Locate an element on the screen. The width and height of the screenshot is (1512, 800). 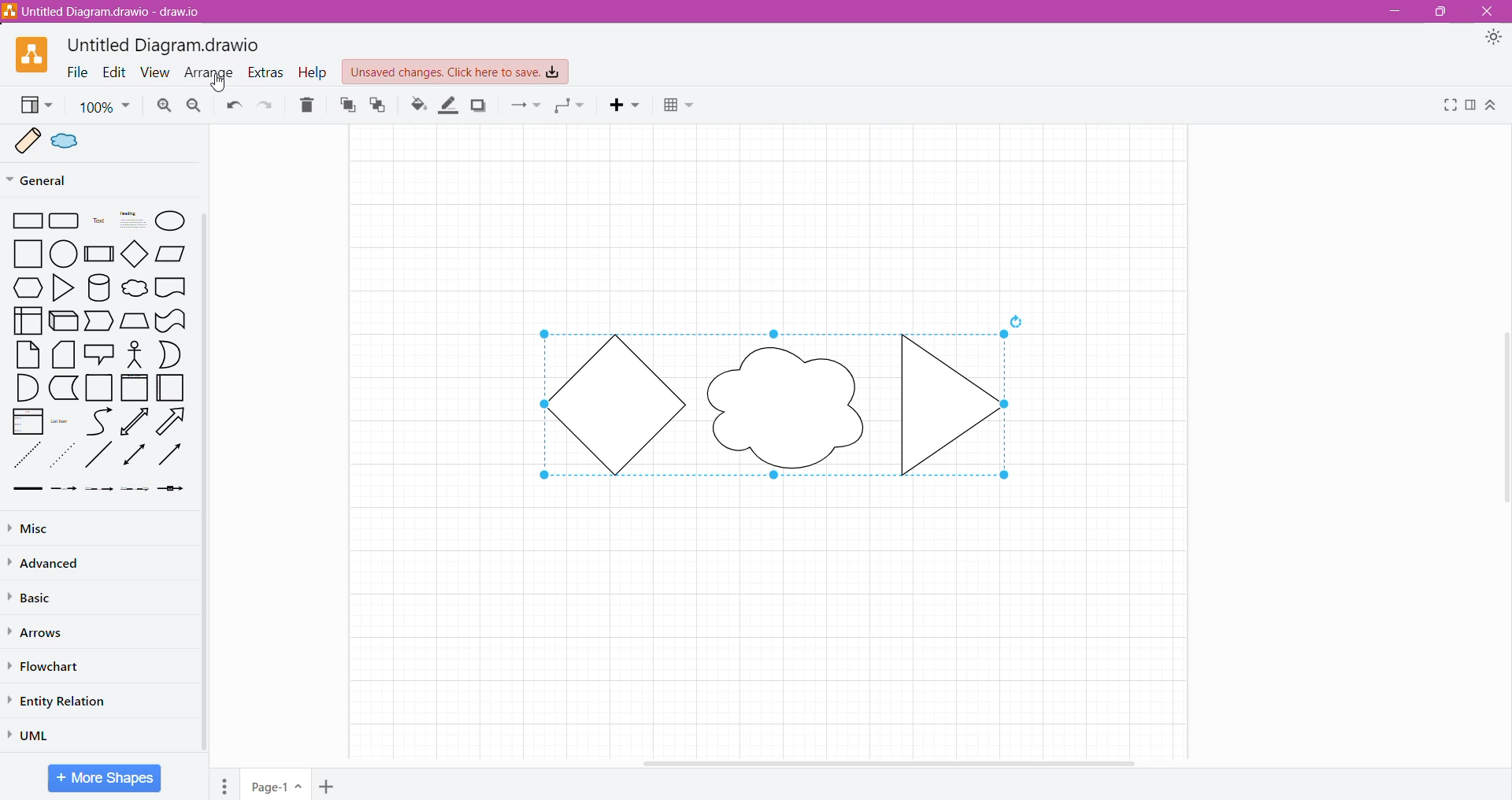
Misc is located at coordinates (41, 528).